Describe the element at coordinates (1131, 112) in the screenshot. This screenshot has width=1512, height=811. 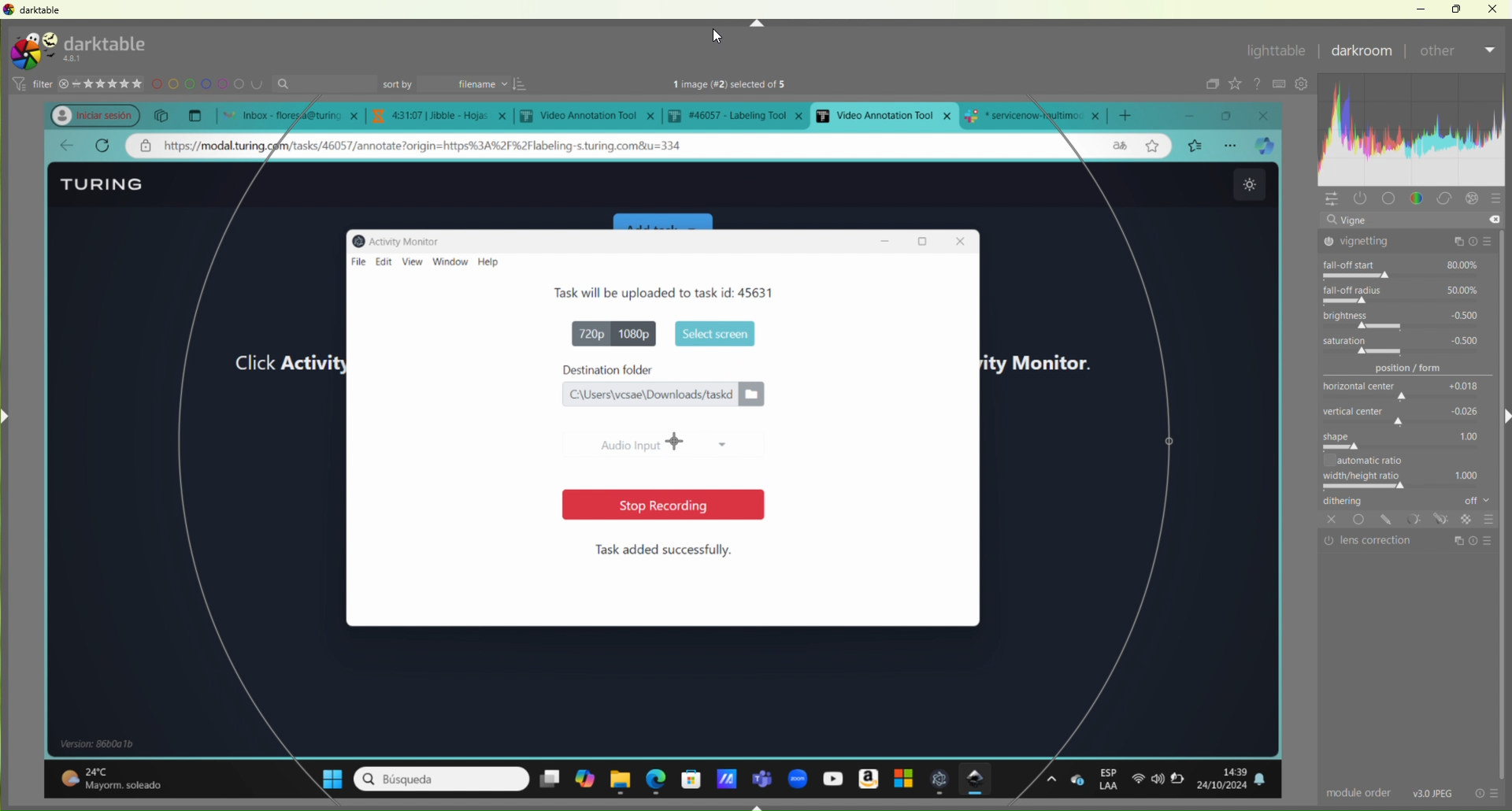
I see `add new tab` at that location.